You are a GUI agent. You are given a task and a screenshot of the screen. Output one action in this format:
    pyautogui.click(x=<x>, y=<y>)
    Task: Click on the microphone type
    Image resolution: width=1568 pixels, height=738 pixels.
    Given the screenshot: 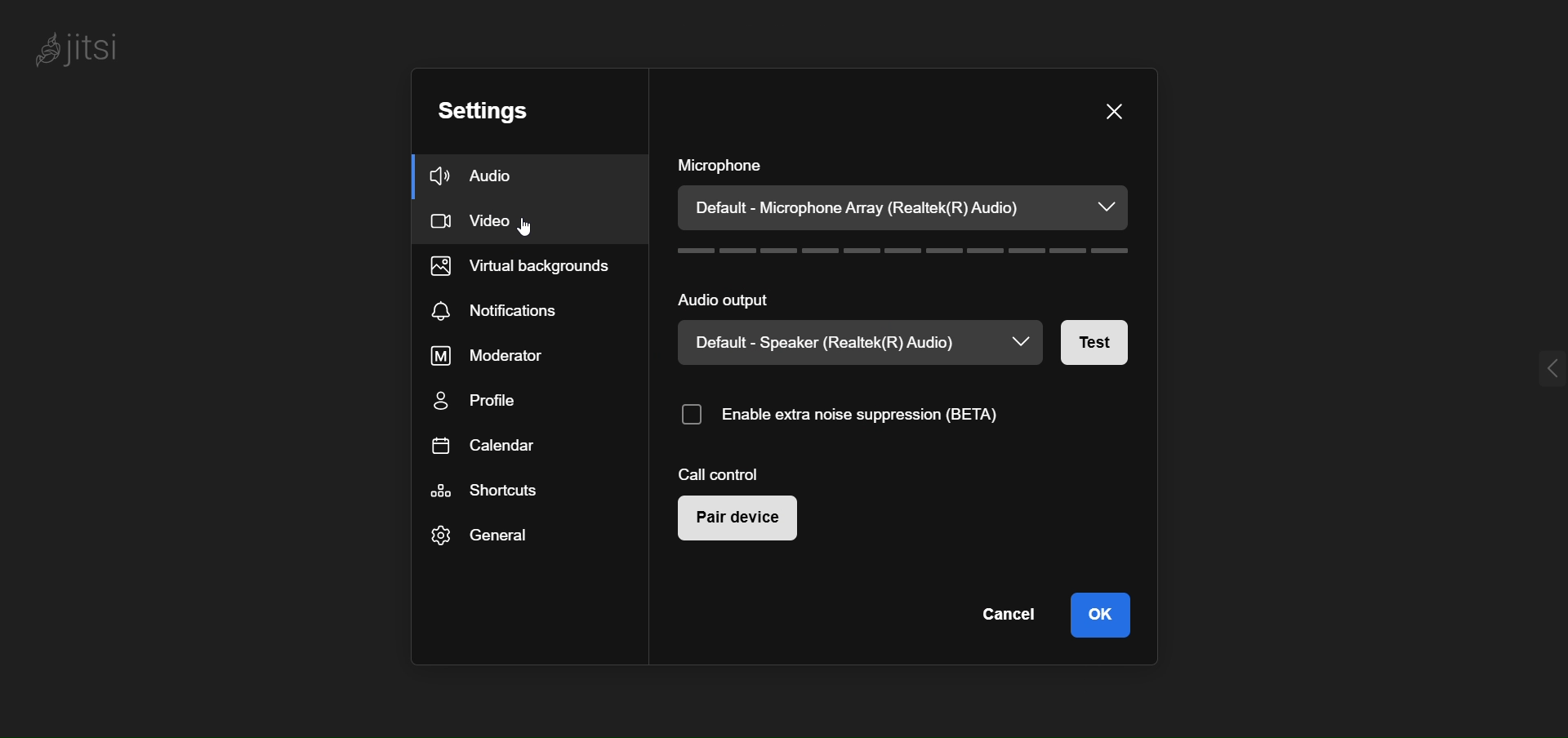 What is the action you would take?
    pyautogui.click(x=869, y=206)
    